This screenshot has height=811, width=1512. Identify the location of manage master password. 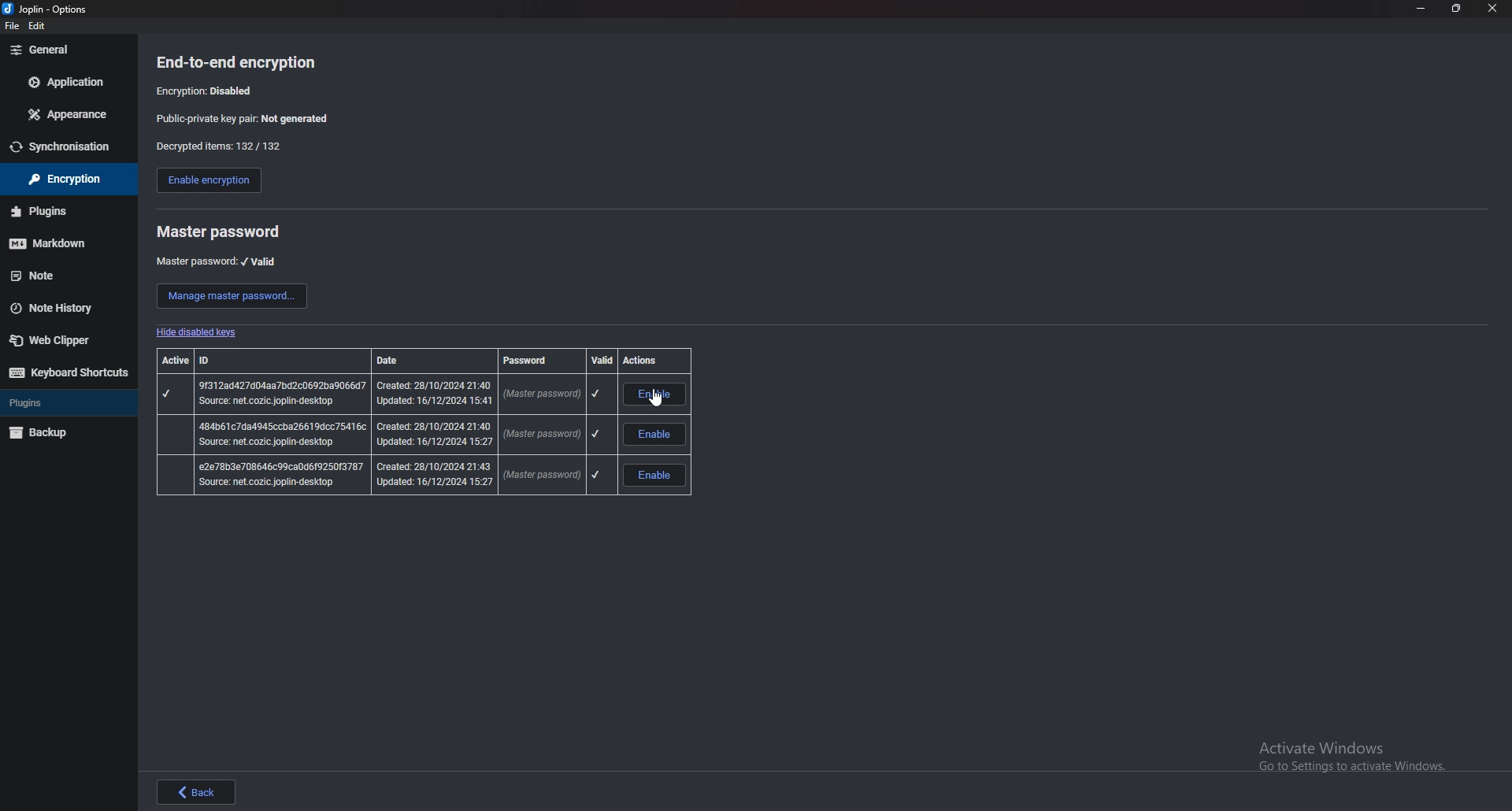
(232, 297).